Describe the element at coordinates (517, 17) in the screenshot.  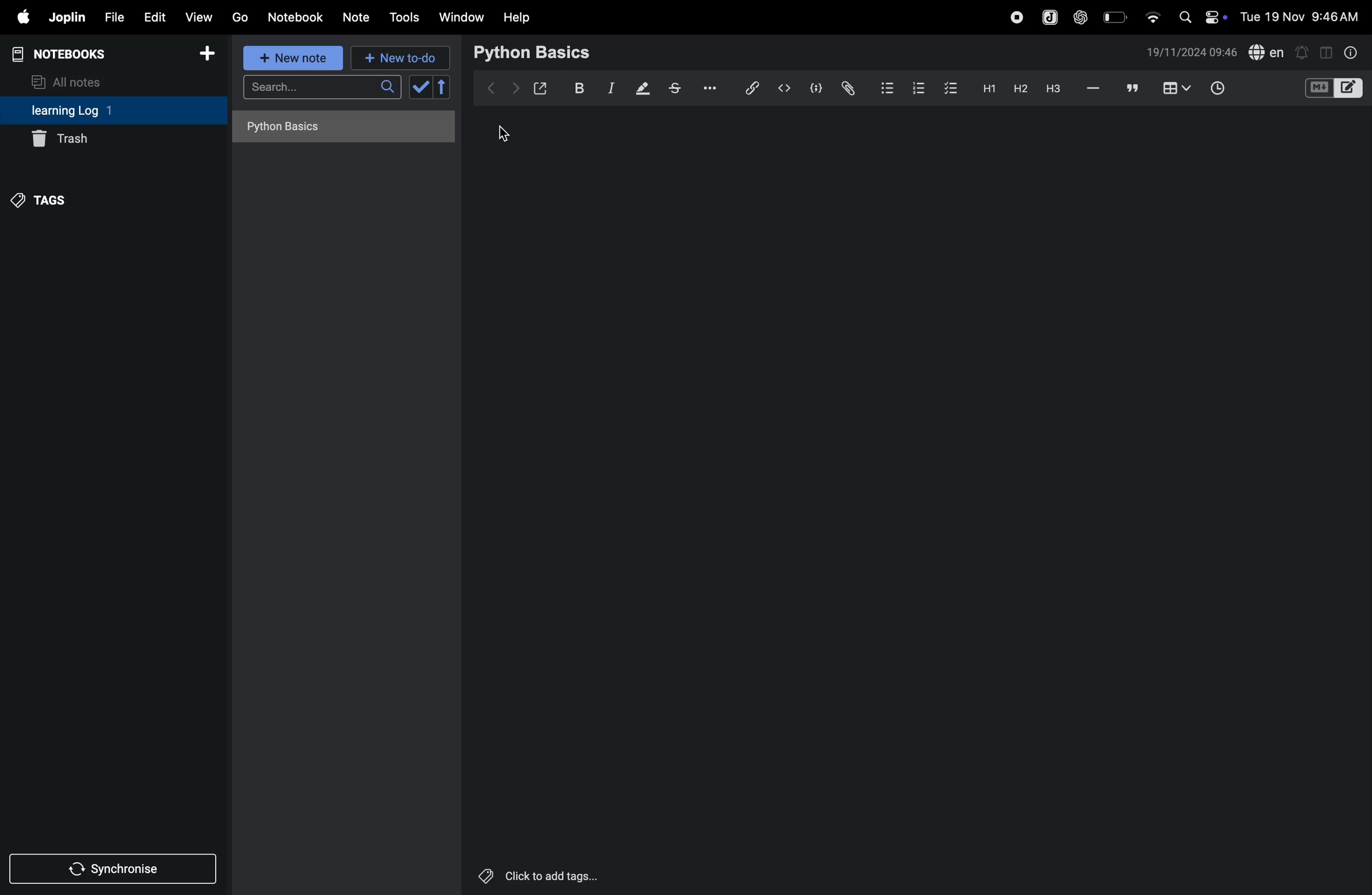
I see `help` at that location.